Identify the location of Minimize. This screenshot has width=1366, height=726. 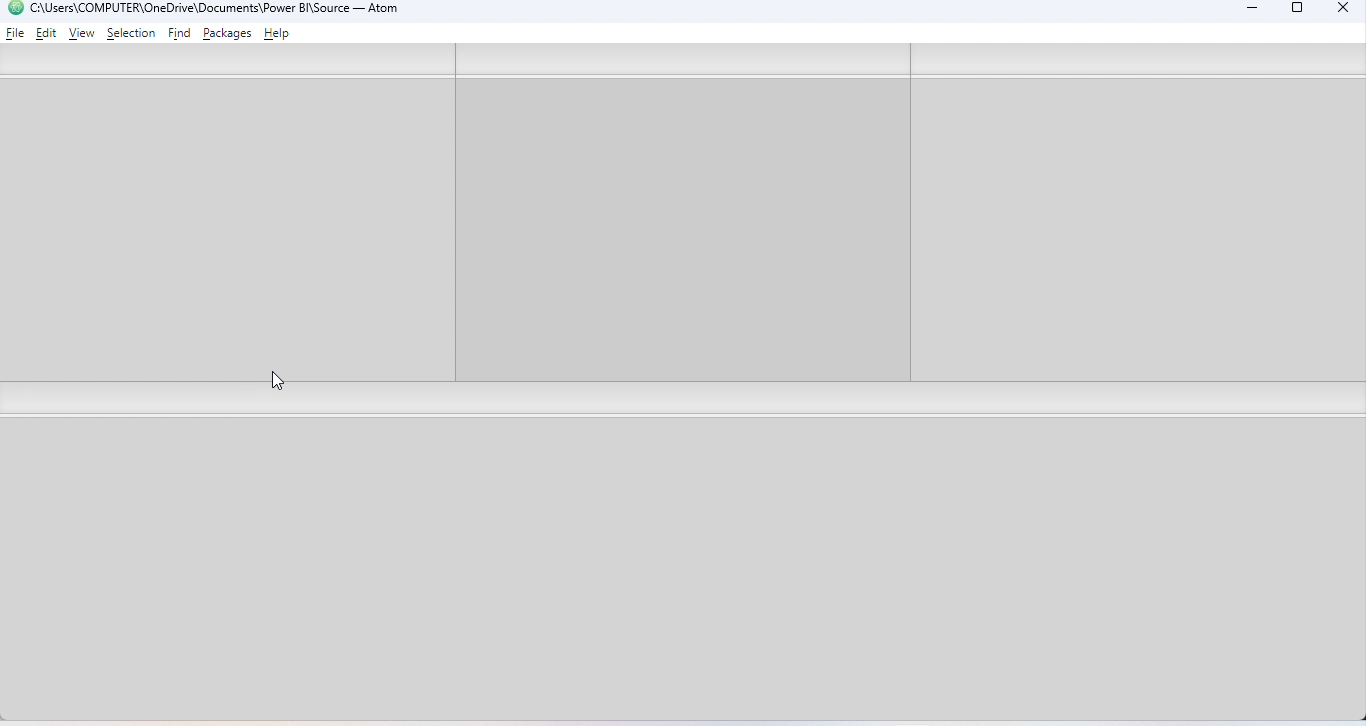
(1247, 11).